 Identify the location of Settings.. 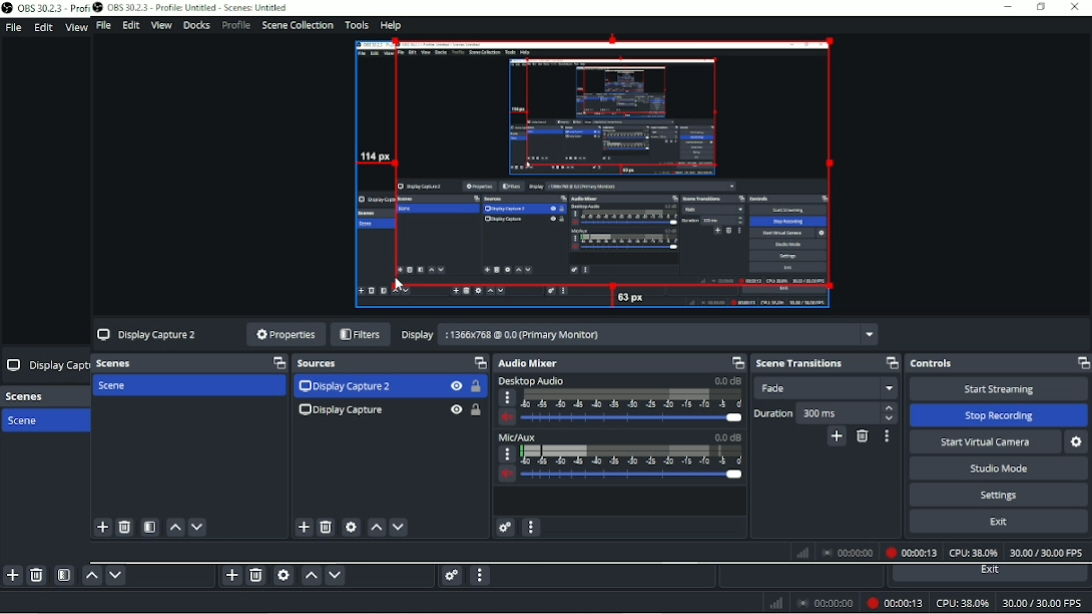
(998, 494).